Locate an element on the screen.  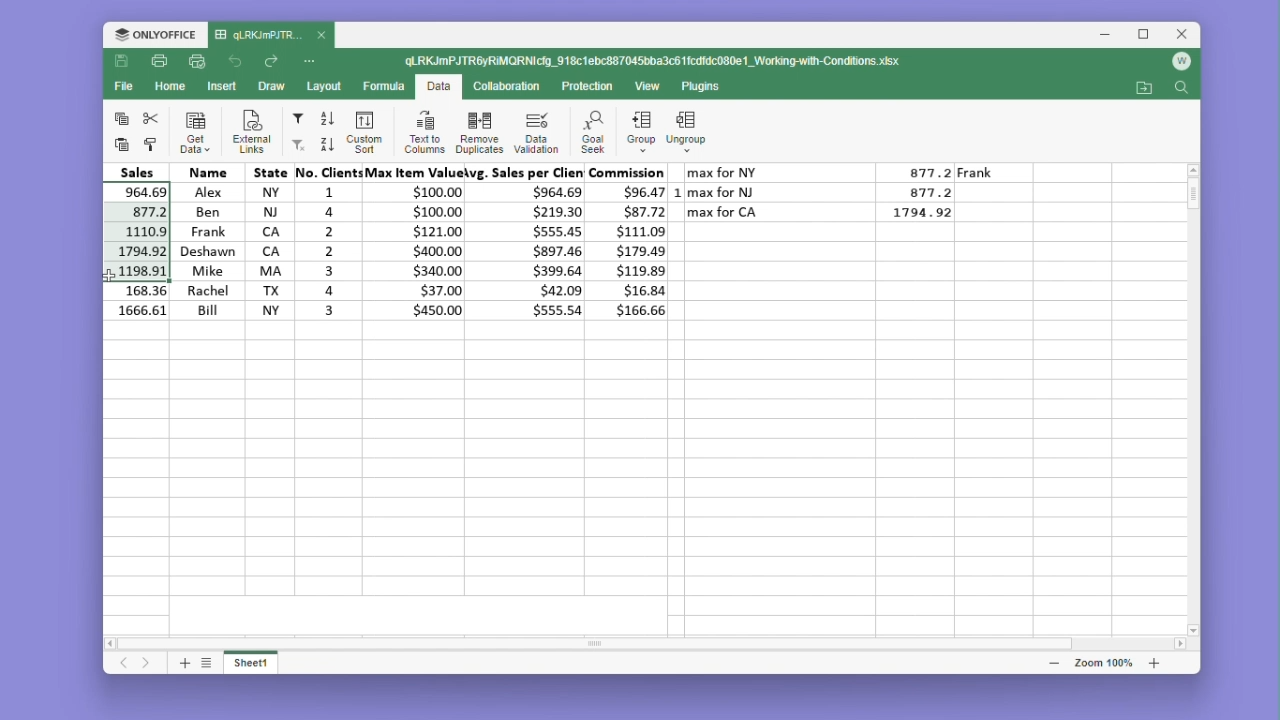
Goal seek is located at coordinates (591, 132).